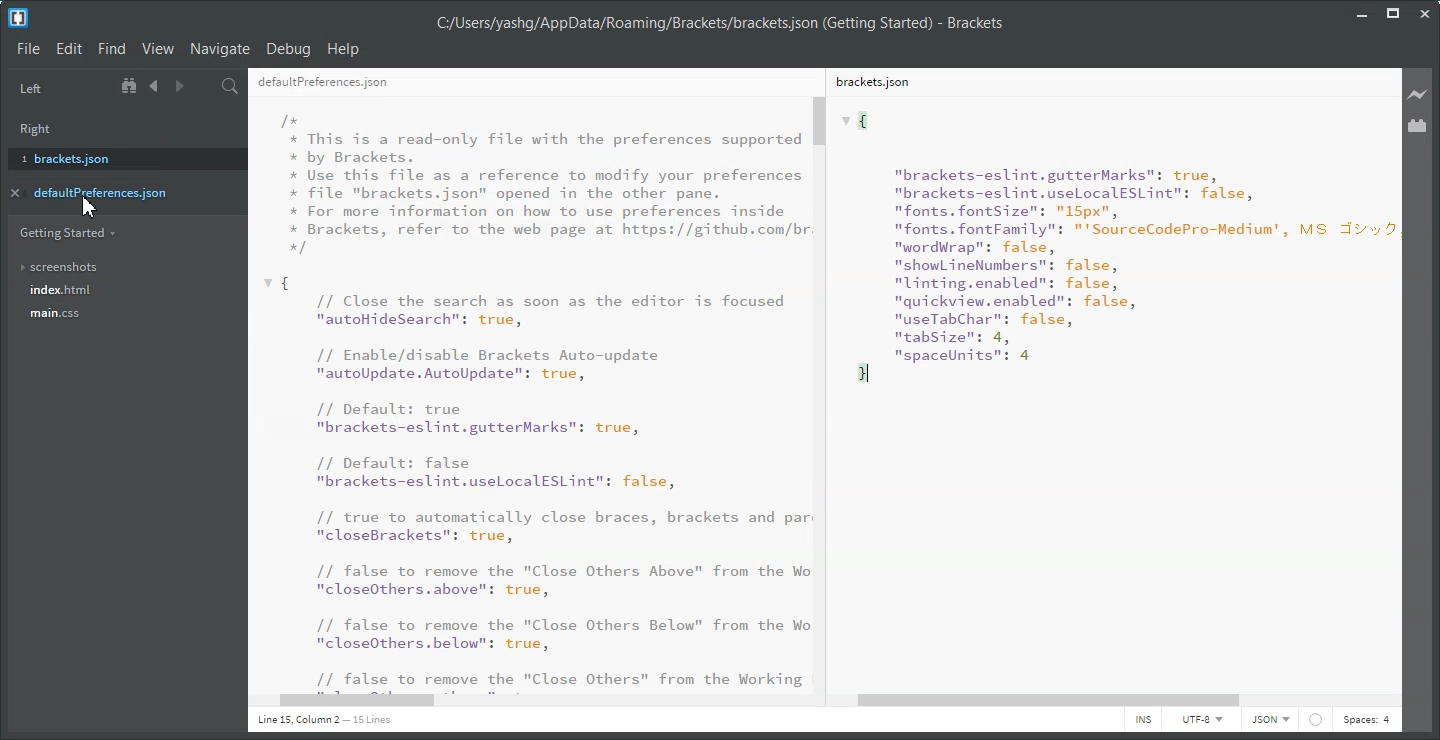  What do you see at coordinates (90, 206) in the screenshot?
I see `Cursor` at bounding box center [90, 206].